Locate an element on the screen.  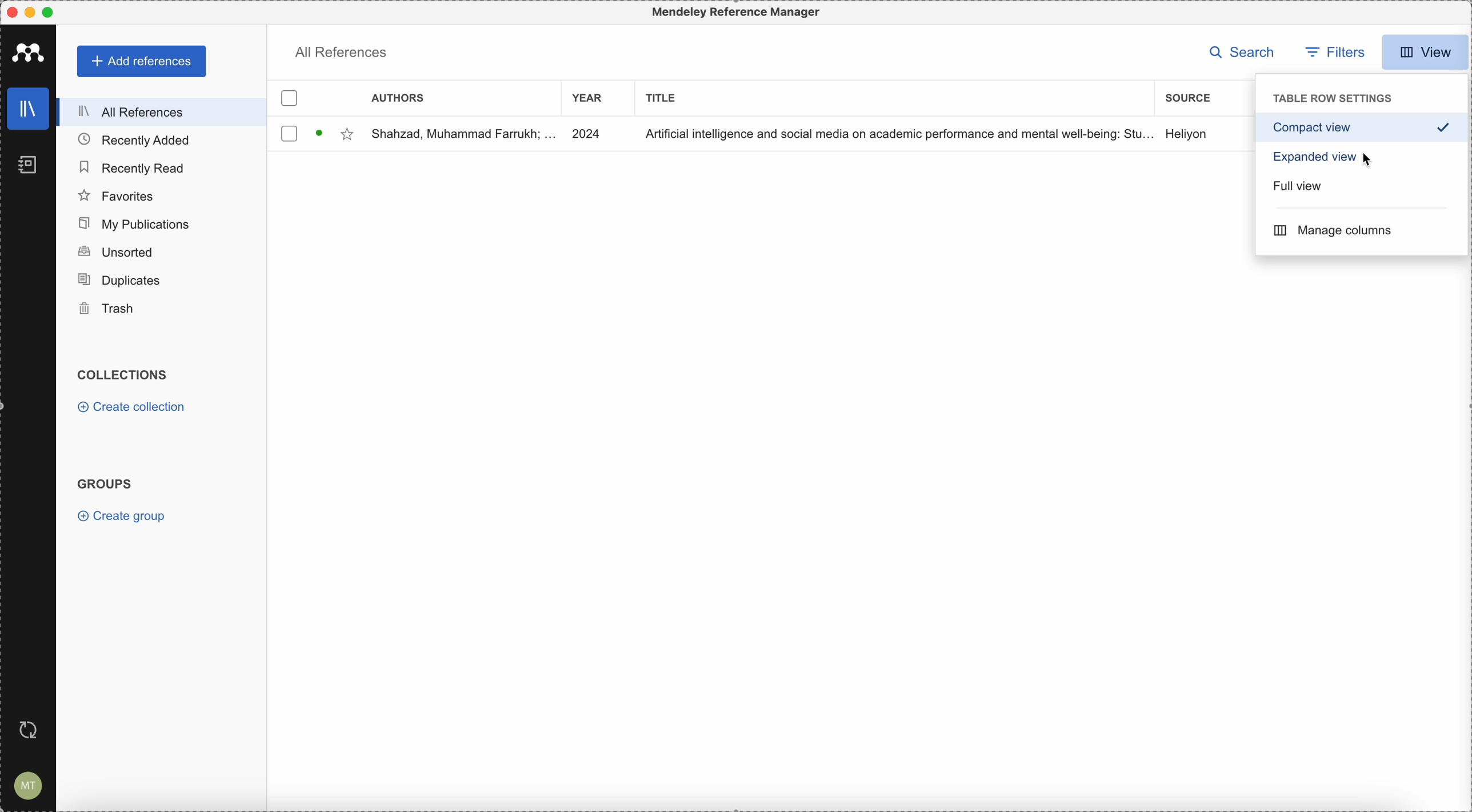
Heliyon is located at coordinates (1188, 134).